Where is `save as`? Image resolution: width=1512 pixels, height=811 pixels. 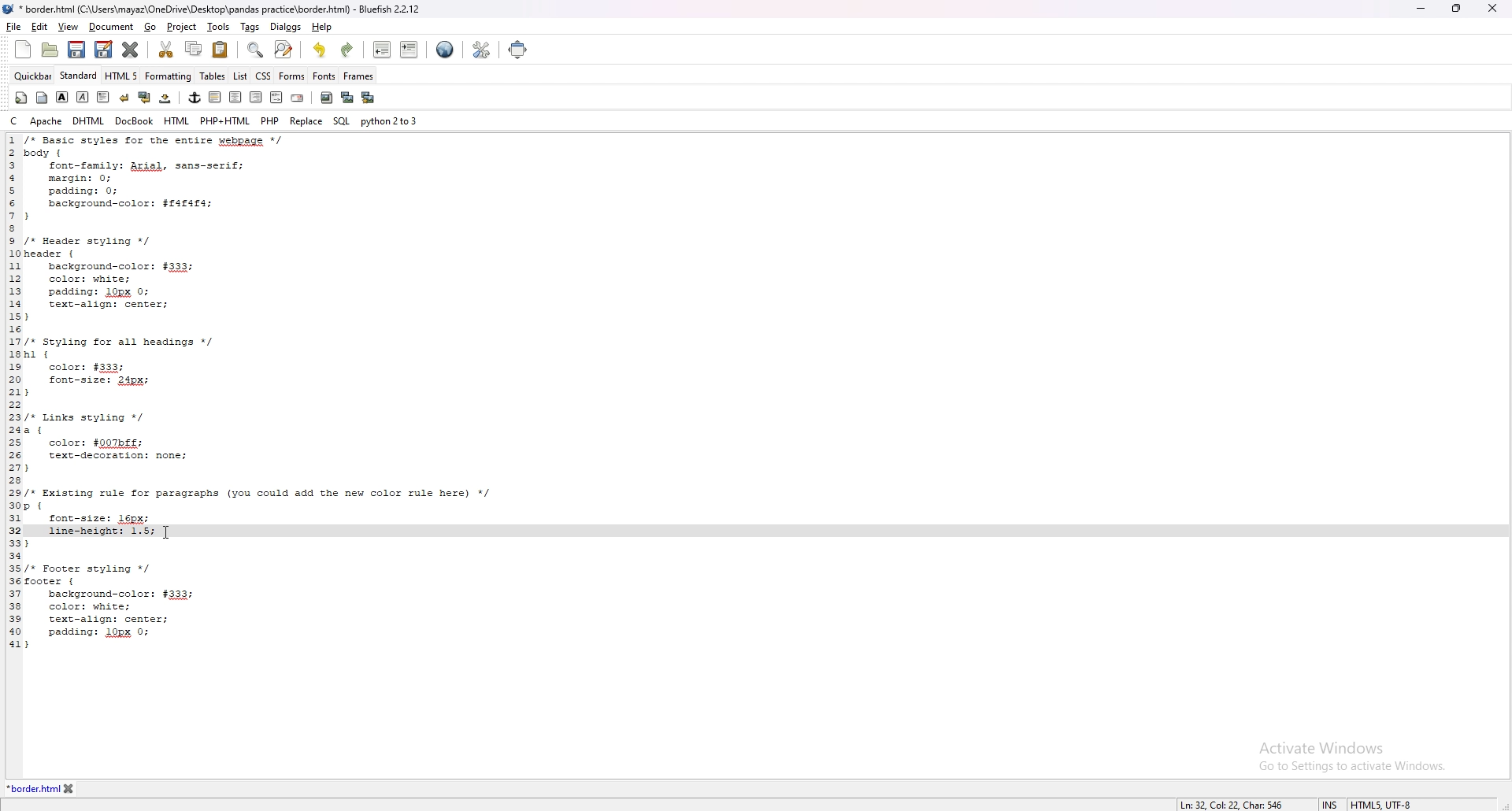
save as is located at coordinates (103, 50).